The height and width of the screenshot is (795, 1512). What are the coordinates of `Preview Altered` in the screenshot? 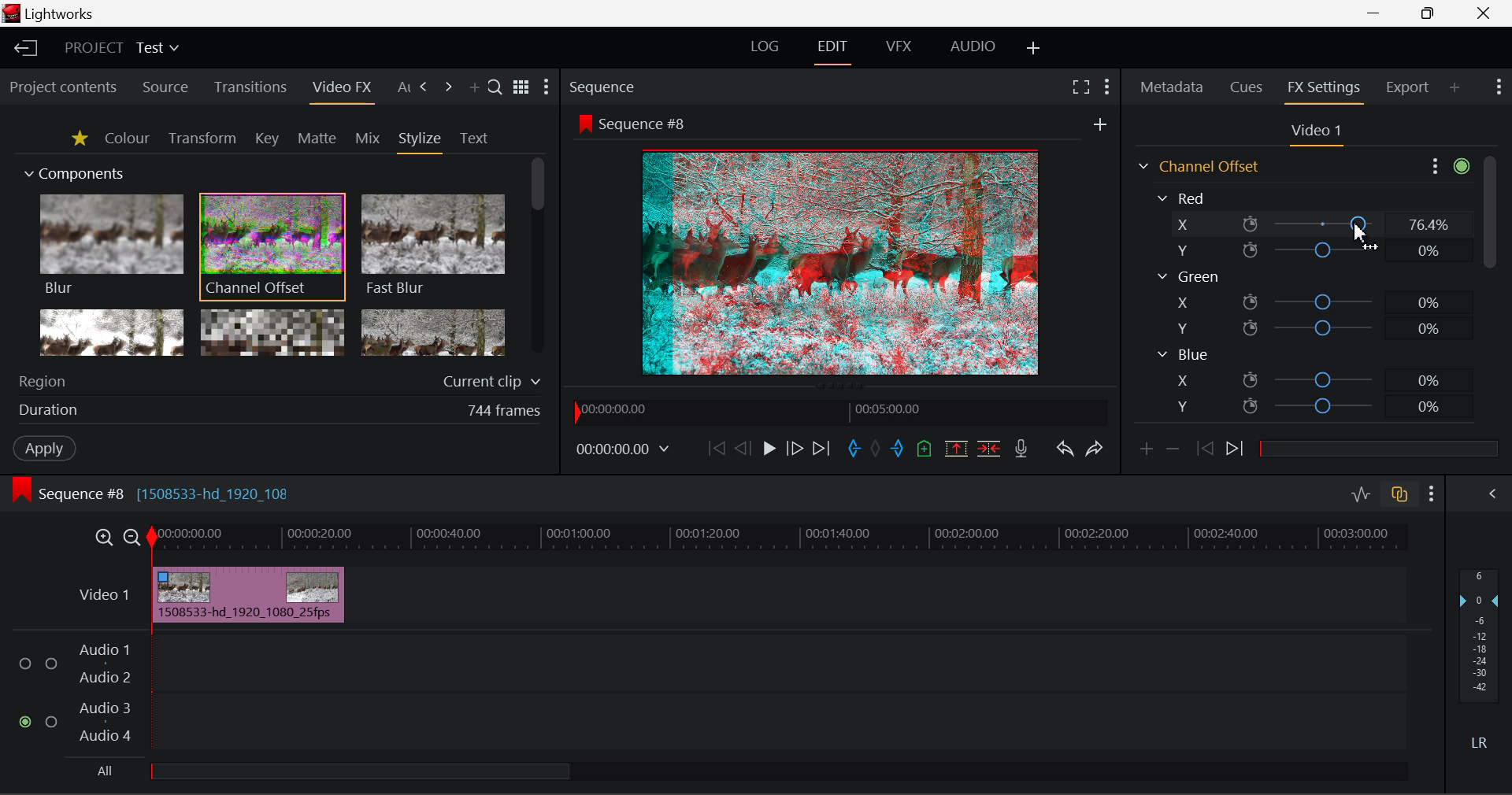 It's located at (843, 260).